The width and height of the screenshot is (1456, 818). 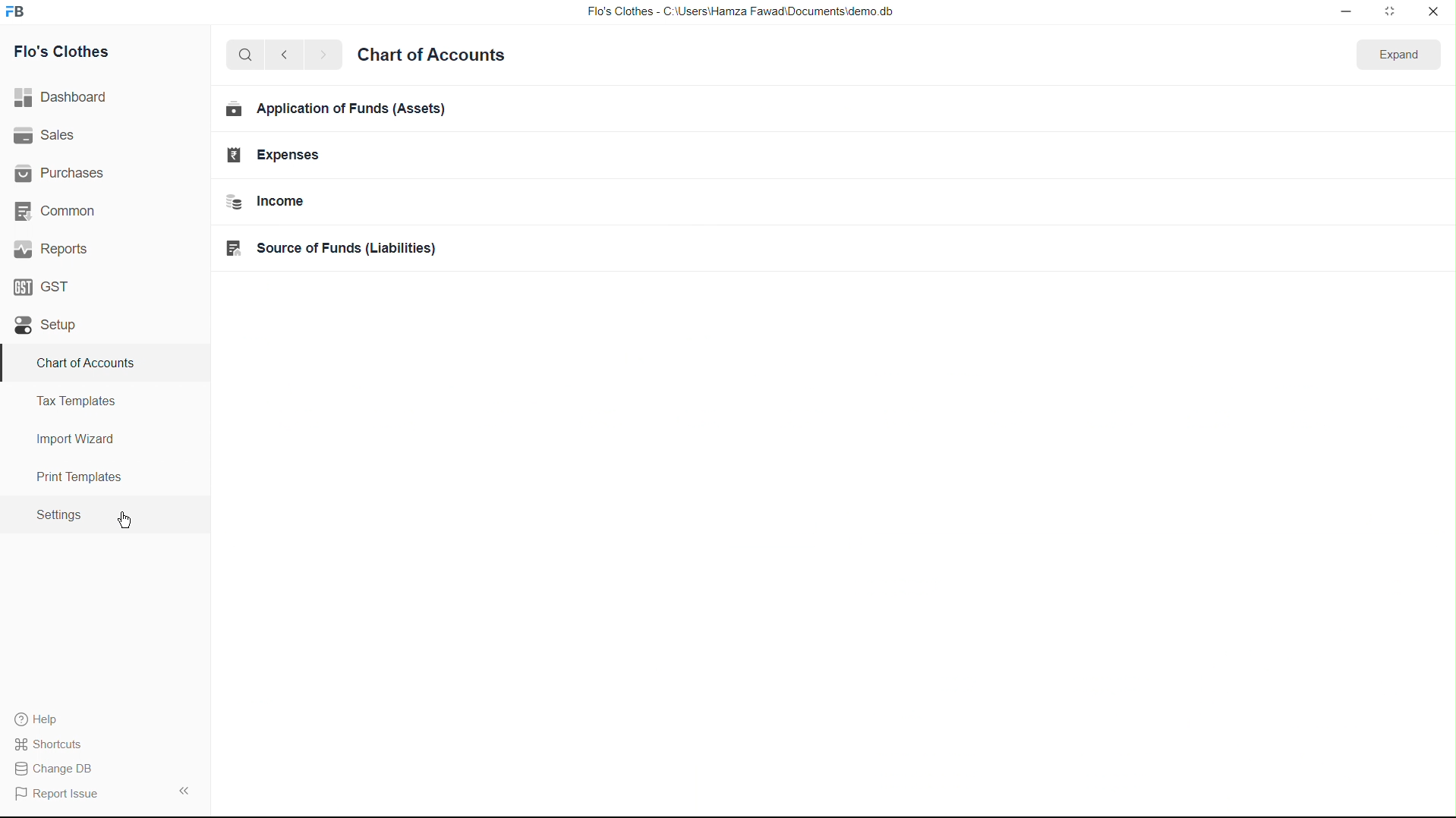 I want to click on Report Issue, so click(x=61, y=794).